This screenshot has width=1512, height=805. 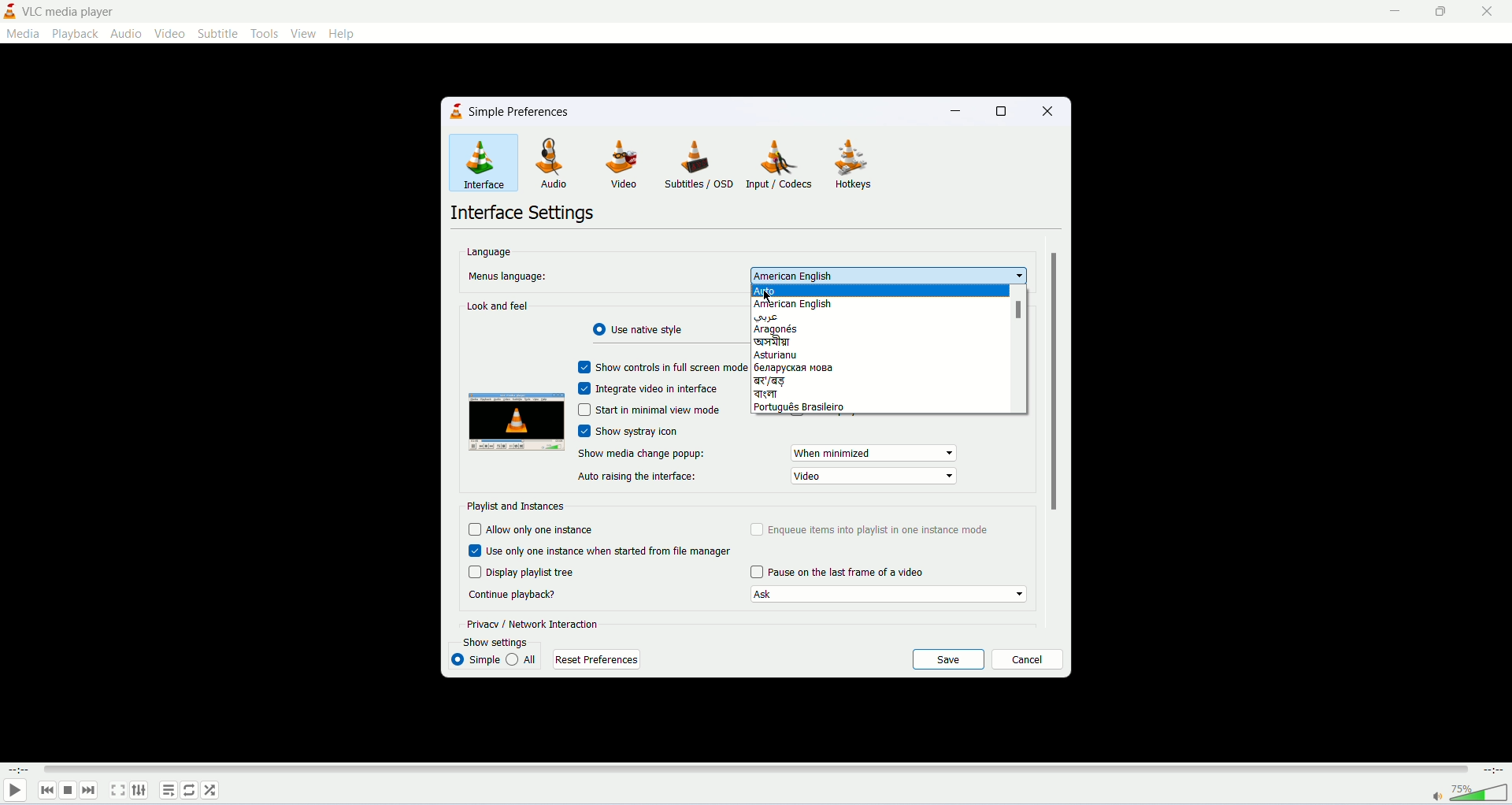 What do you see at coordinates (952, 112) in the screenshot?
I see `minimize` at bounding box center [952, 112].